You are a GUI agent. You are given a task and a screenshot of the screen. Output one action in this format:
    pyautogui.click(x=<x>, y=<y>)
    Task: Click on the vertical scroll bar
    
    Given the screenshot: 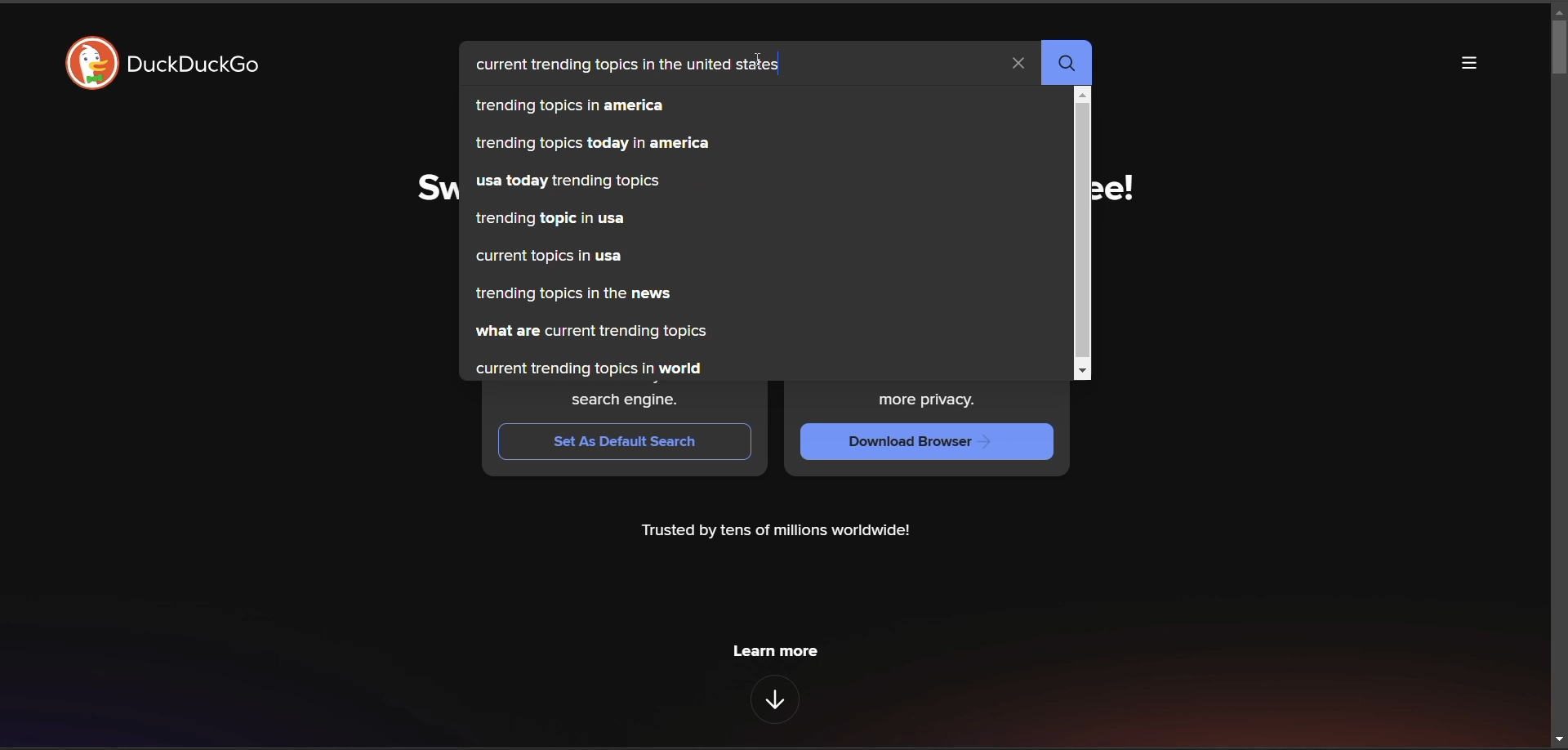 What is the action you would take?
    pyautogui.click(x=1082, y=234)
    